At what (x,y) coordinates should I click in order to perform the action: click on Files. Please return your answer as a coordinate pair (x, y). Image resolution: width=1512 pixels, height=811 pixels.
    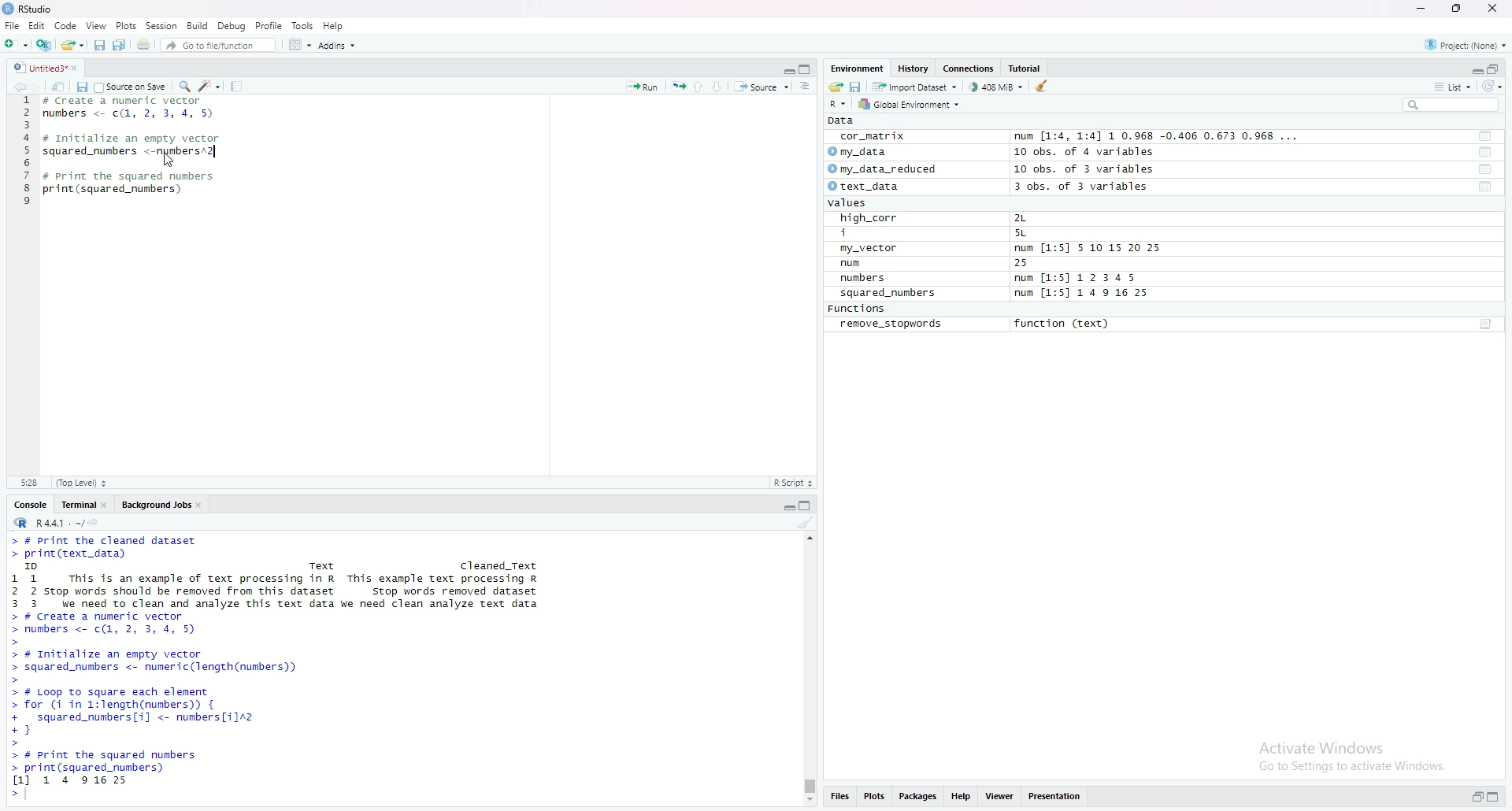
    Looking at the image, I should click on (839, 798).